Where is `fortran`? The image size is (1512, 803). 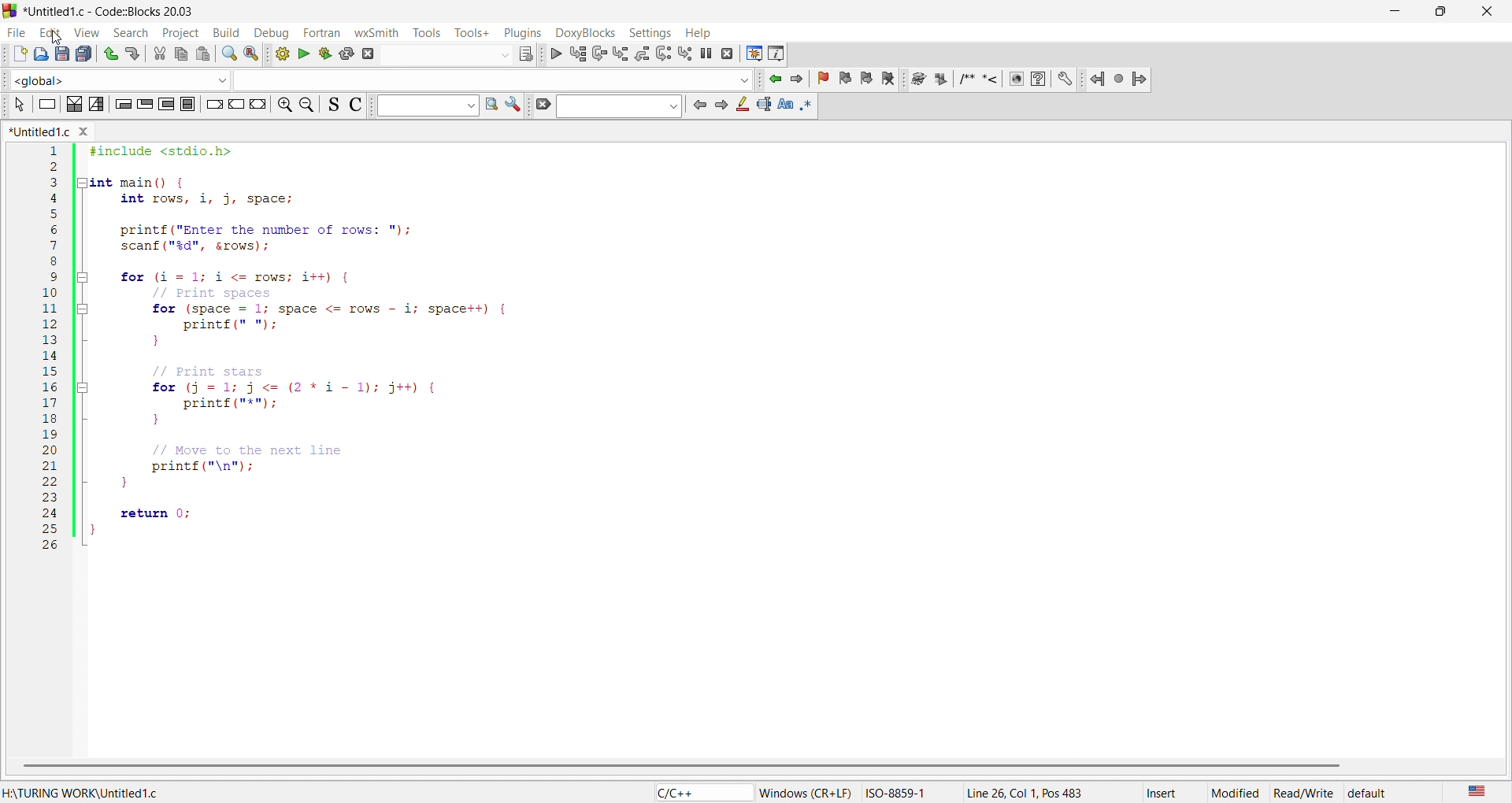
fortran is located at coordinates (321, 31).